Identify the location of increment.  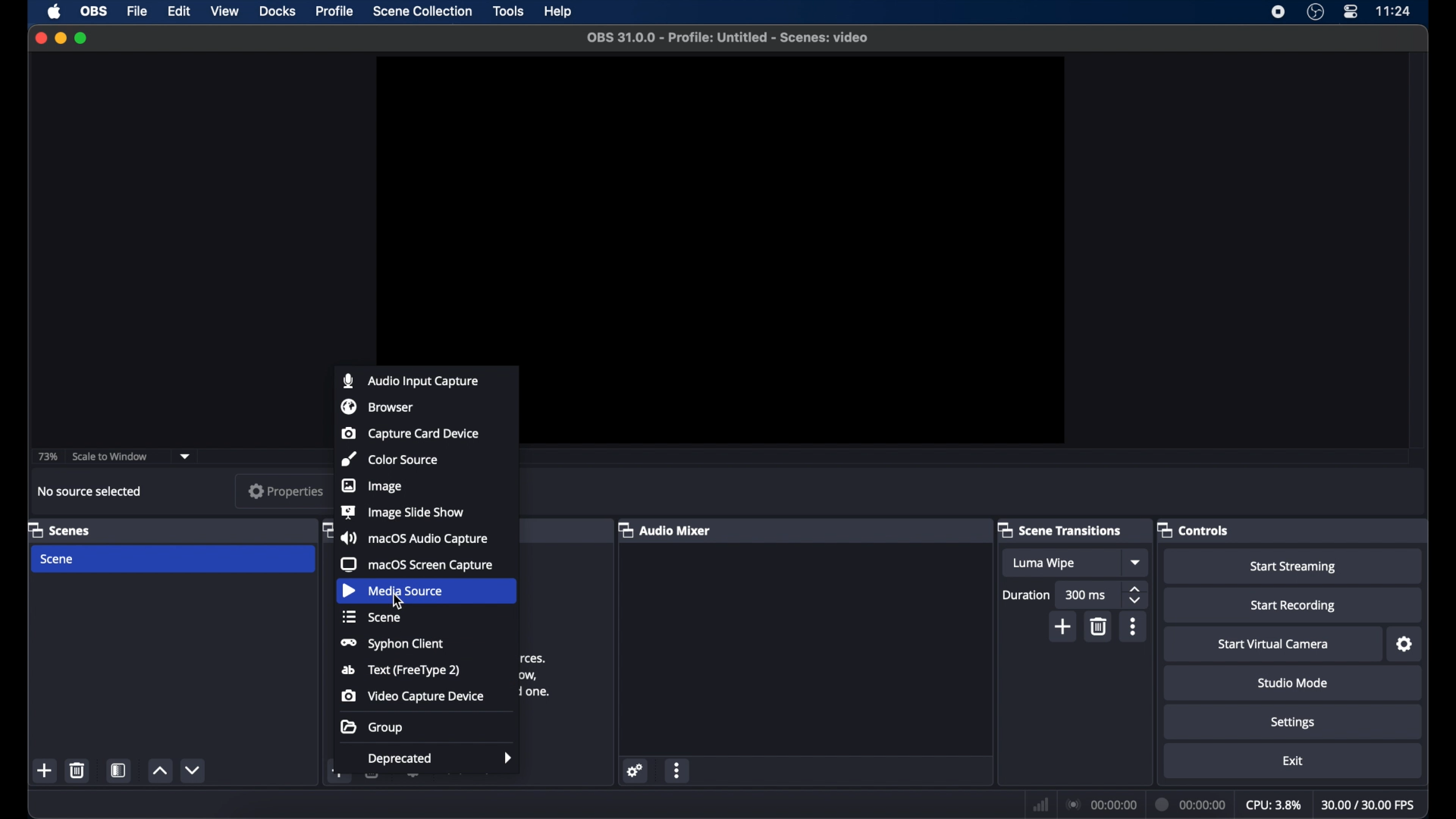
(160, 772).